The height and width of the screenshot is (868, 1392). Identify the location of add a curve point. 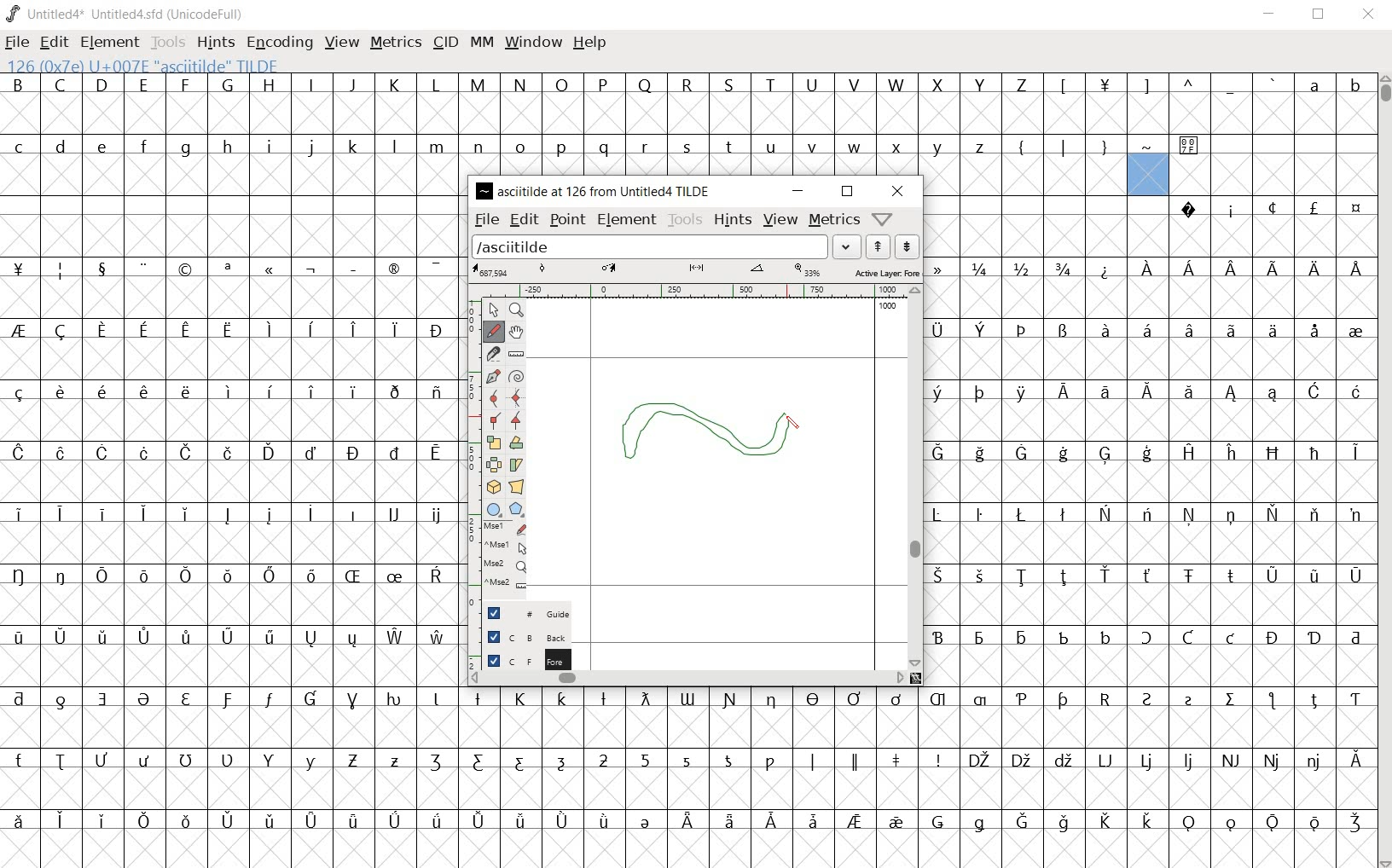
(495, 396).